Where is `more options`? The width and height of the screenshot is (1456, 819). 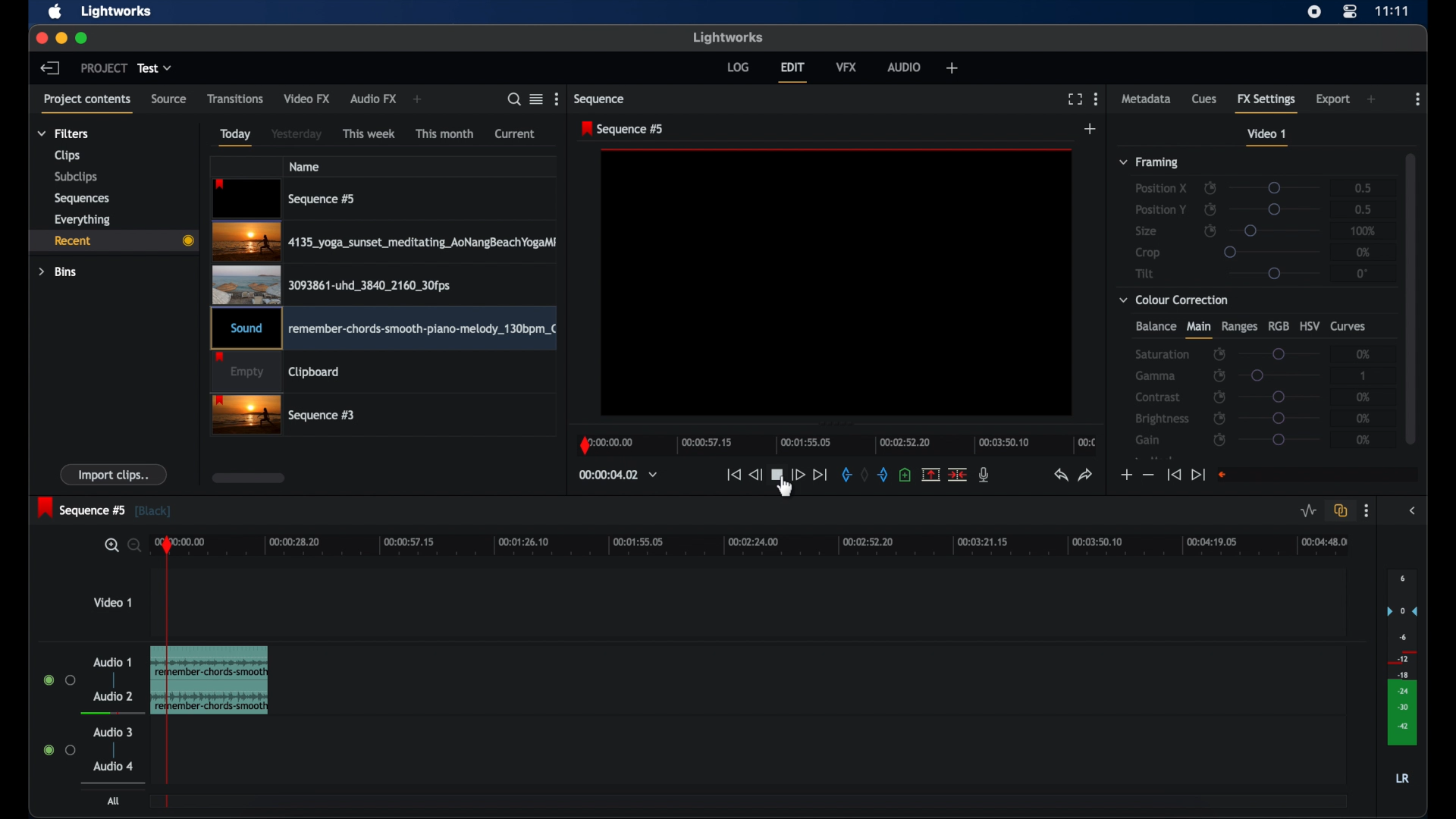 more options is located at coordinates (558, 99).